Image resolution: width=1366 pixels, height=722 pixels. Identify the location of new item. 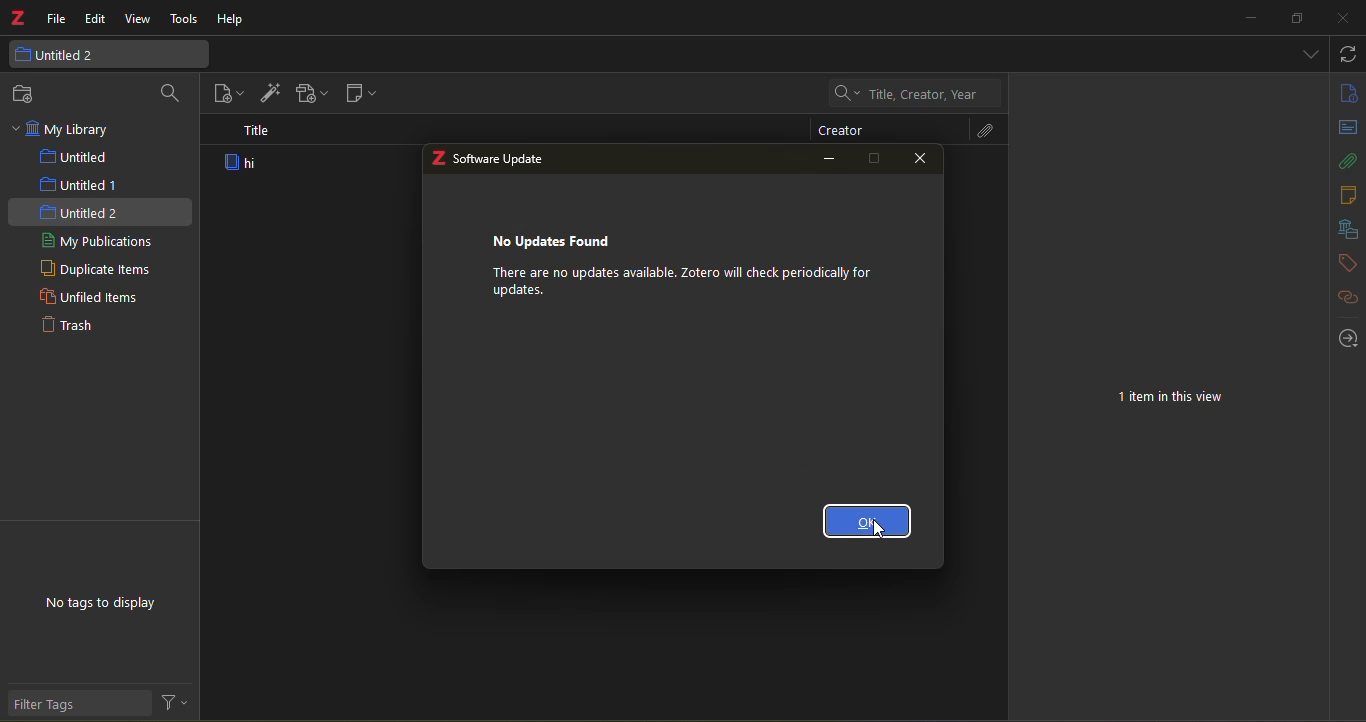
(229, 94).